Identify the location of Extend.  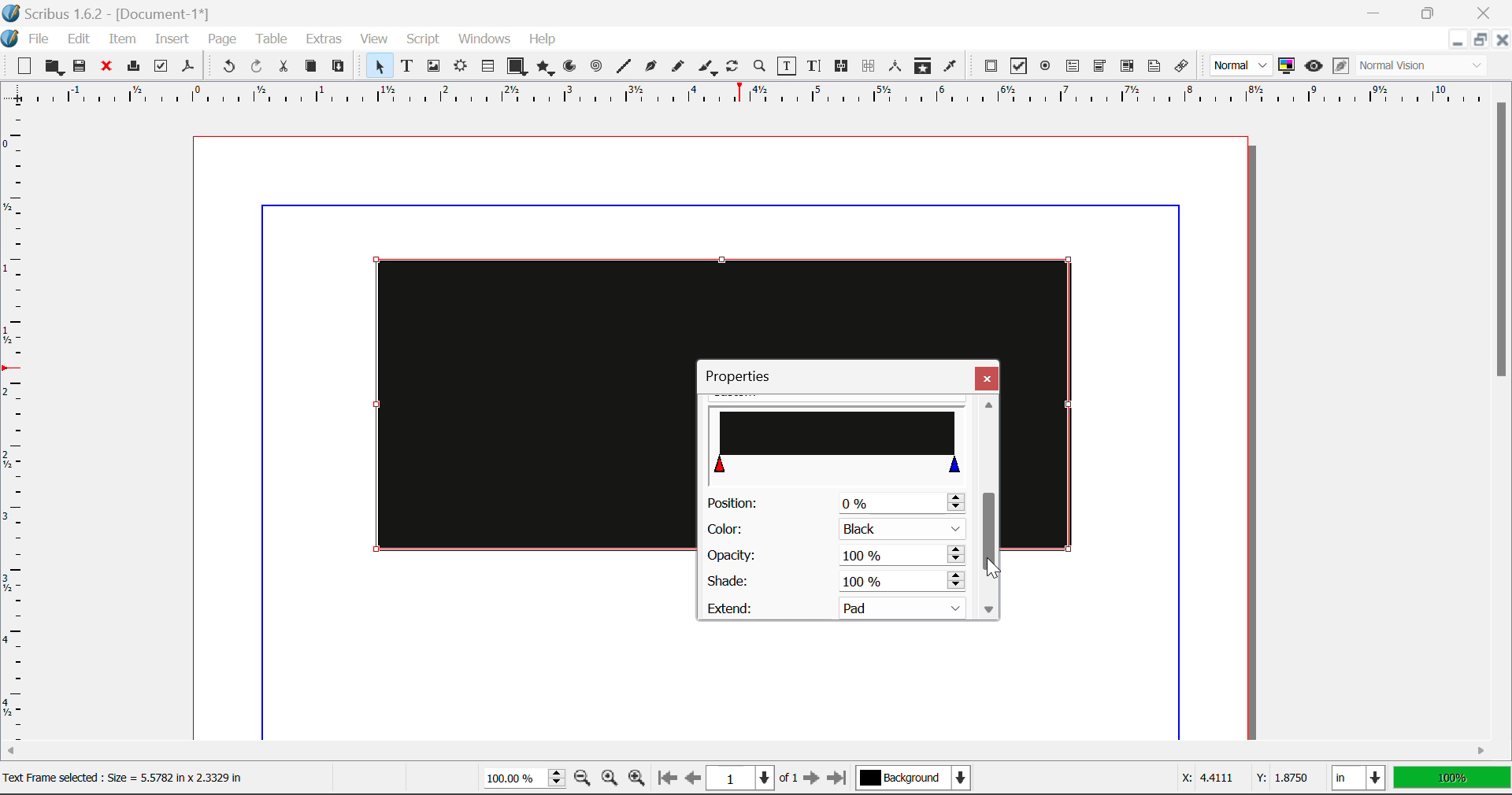
(841, 606).